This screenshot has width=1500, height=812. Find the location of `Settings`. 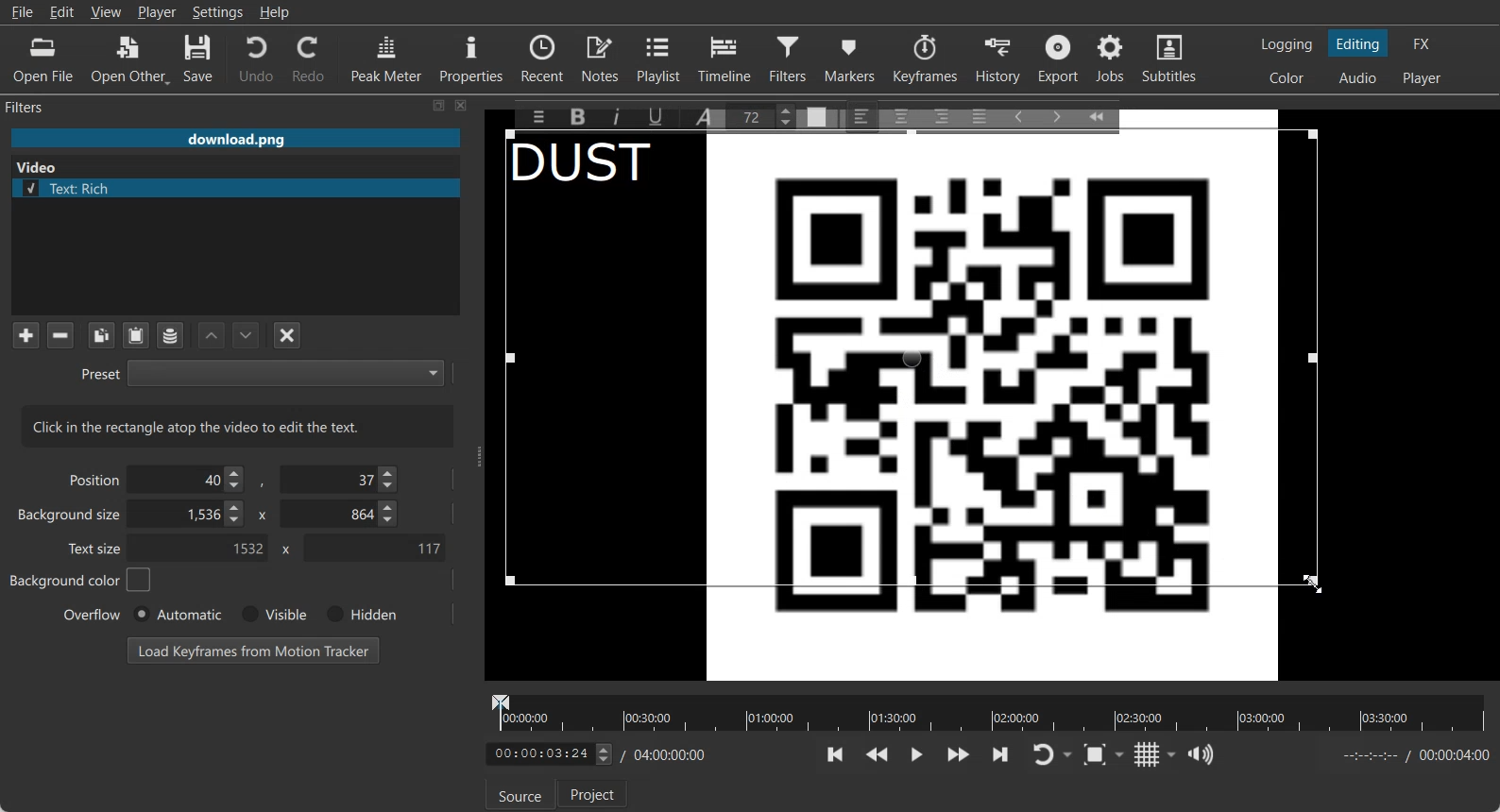

Settings is located at coordinates (218, 12).